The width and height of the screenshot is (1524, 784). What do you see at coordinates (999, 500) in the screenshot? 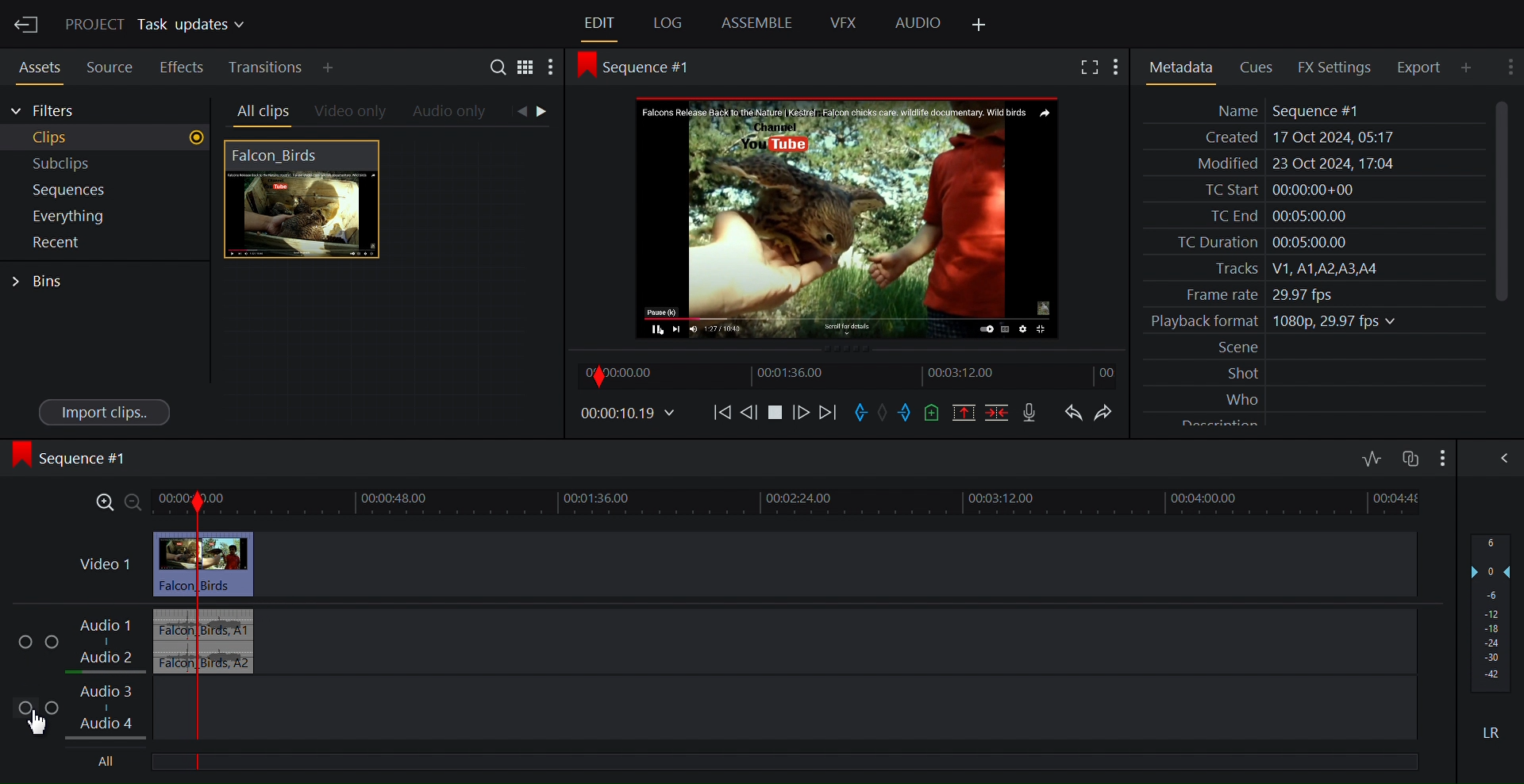
I see `| 00:03:12.00` at bounding box center [999, 500].